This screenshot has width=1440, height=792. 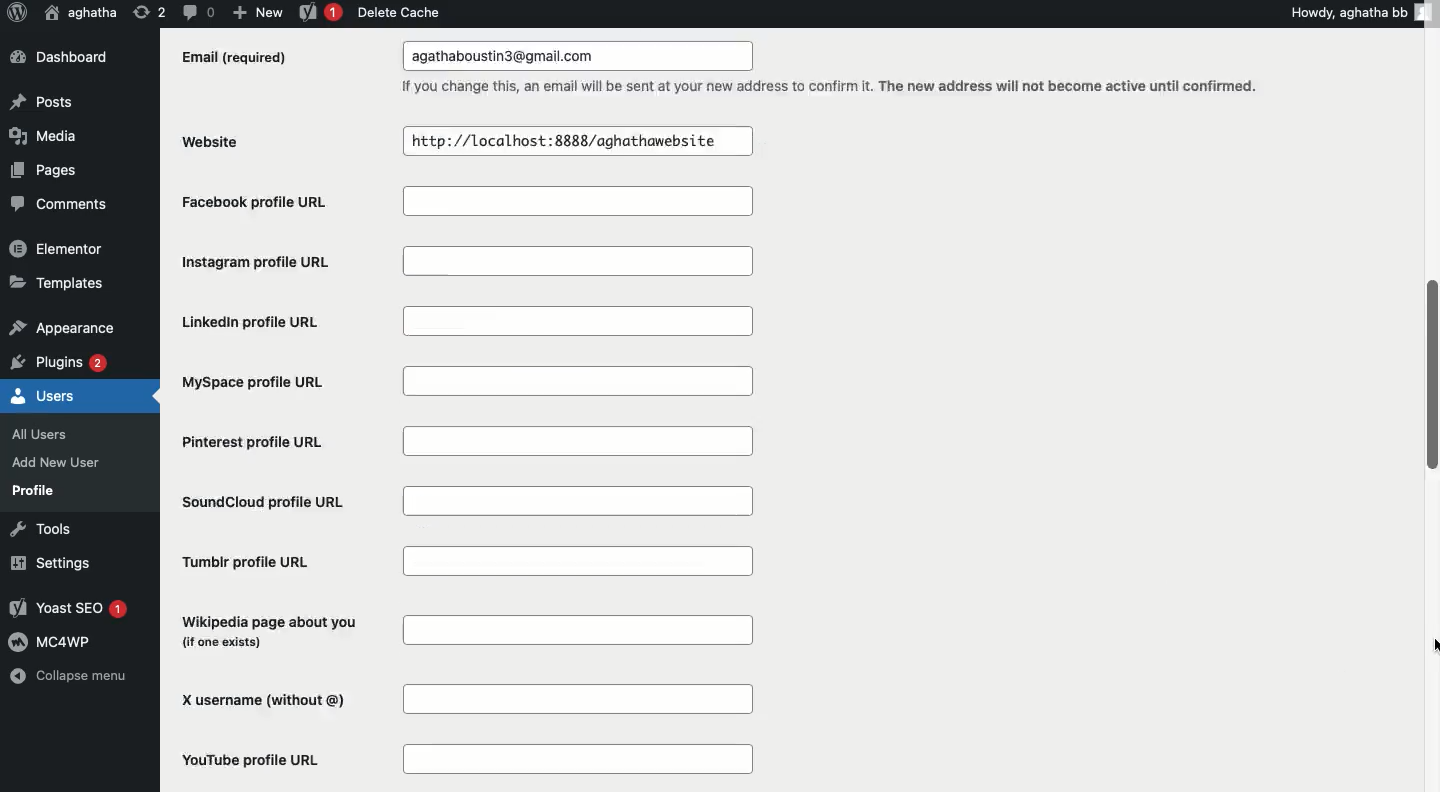 What do you see at coordinates (43, 104) in the screenshot?
I see `Posts` at bounding box center [43, 104].